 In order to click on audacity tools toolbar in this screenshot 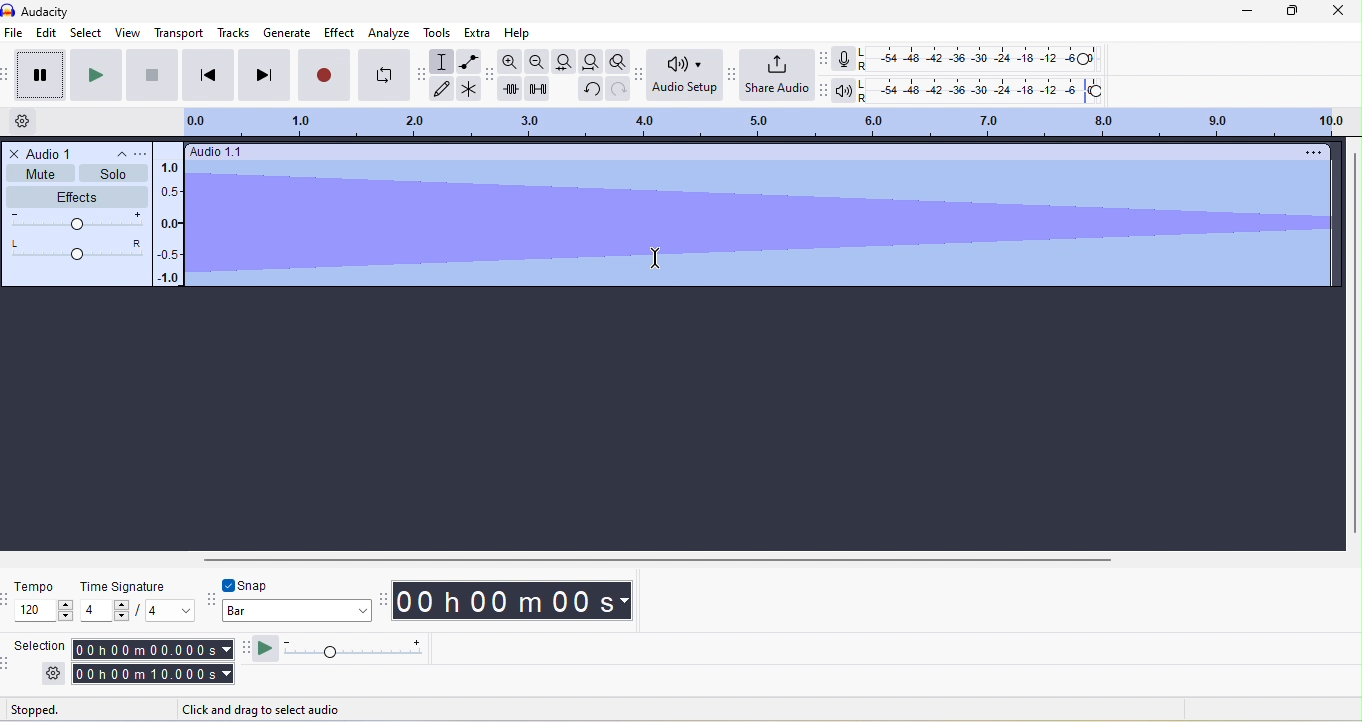, I will do `click(424, 81)`.